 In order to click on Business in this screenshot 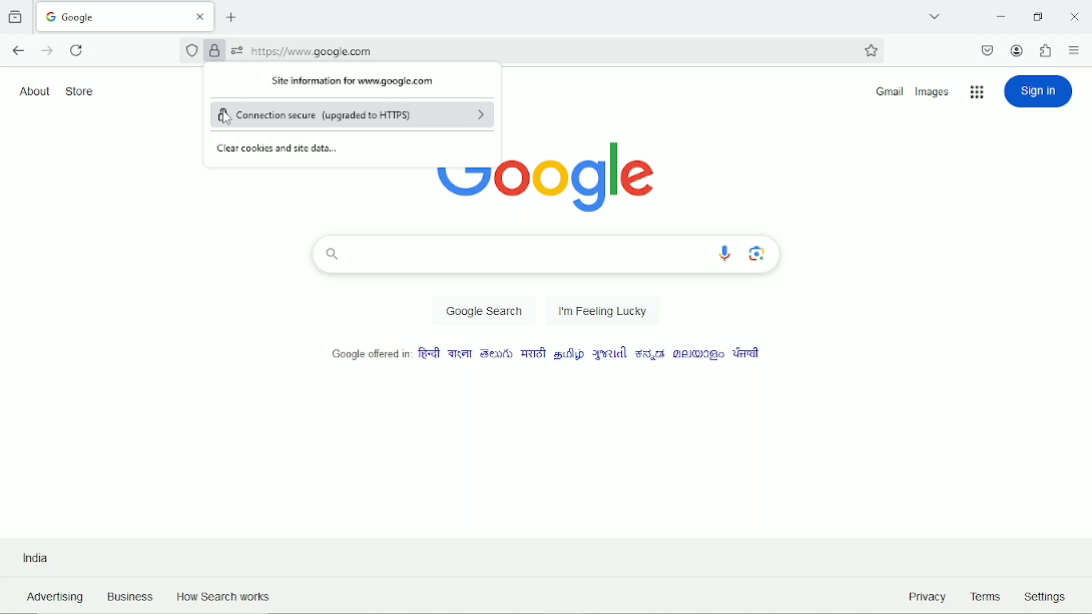, I will do `click(130, 595)`.